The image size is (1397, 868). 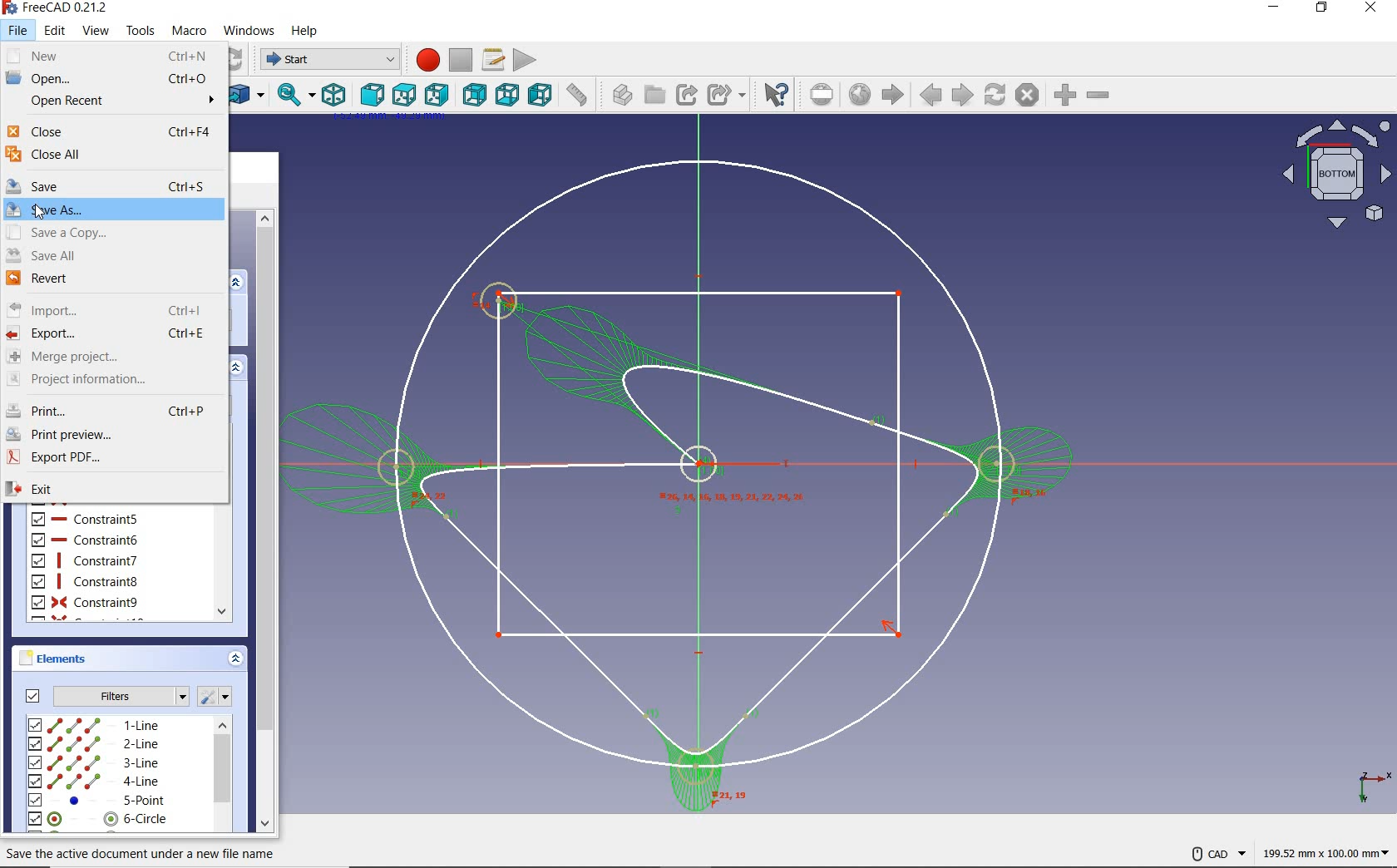 I want to click on close all, so click(x=111, y=155).